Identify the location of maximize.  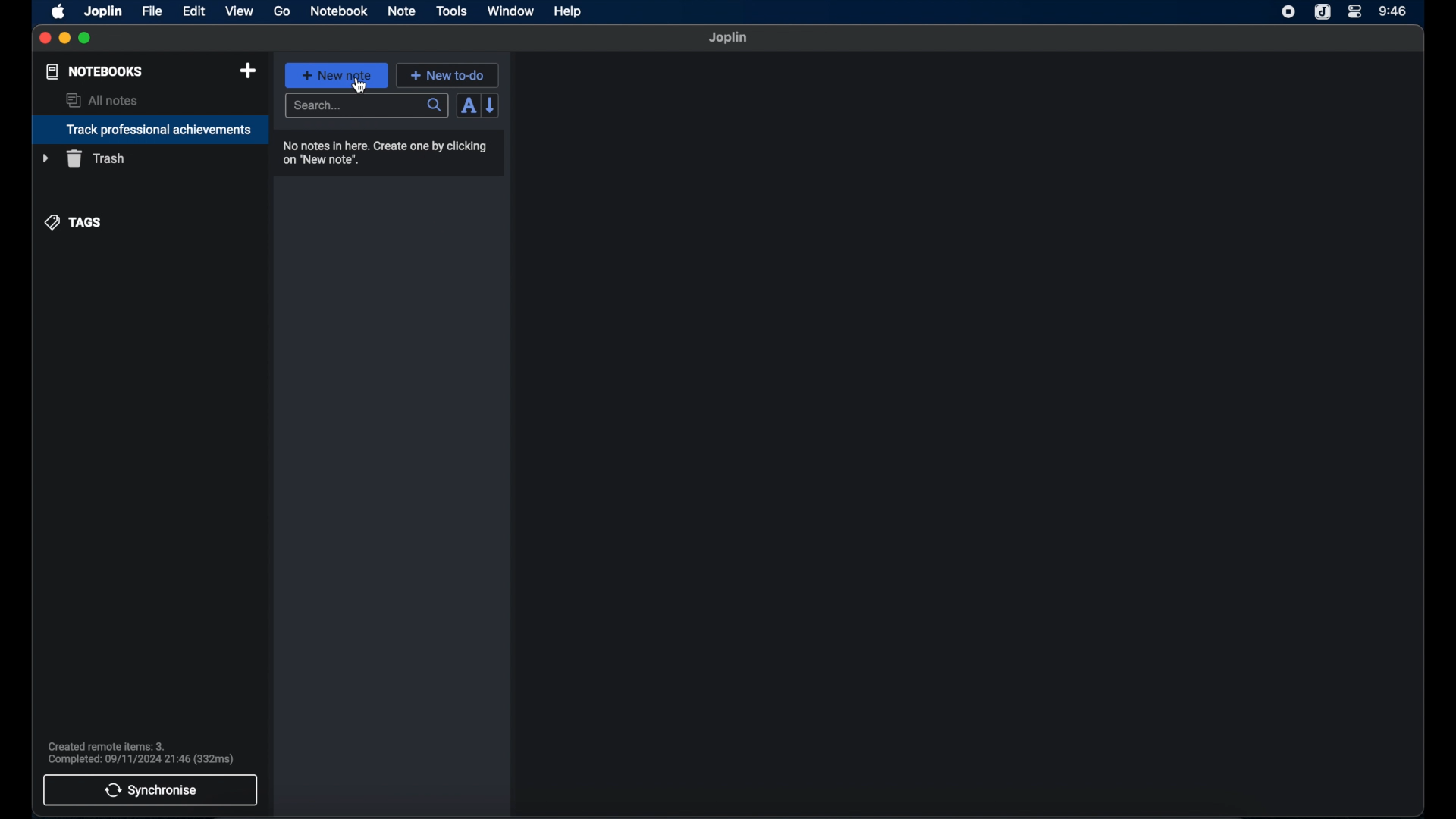
(86, 39).